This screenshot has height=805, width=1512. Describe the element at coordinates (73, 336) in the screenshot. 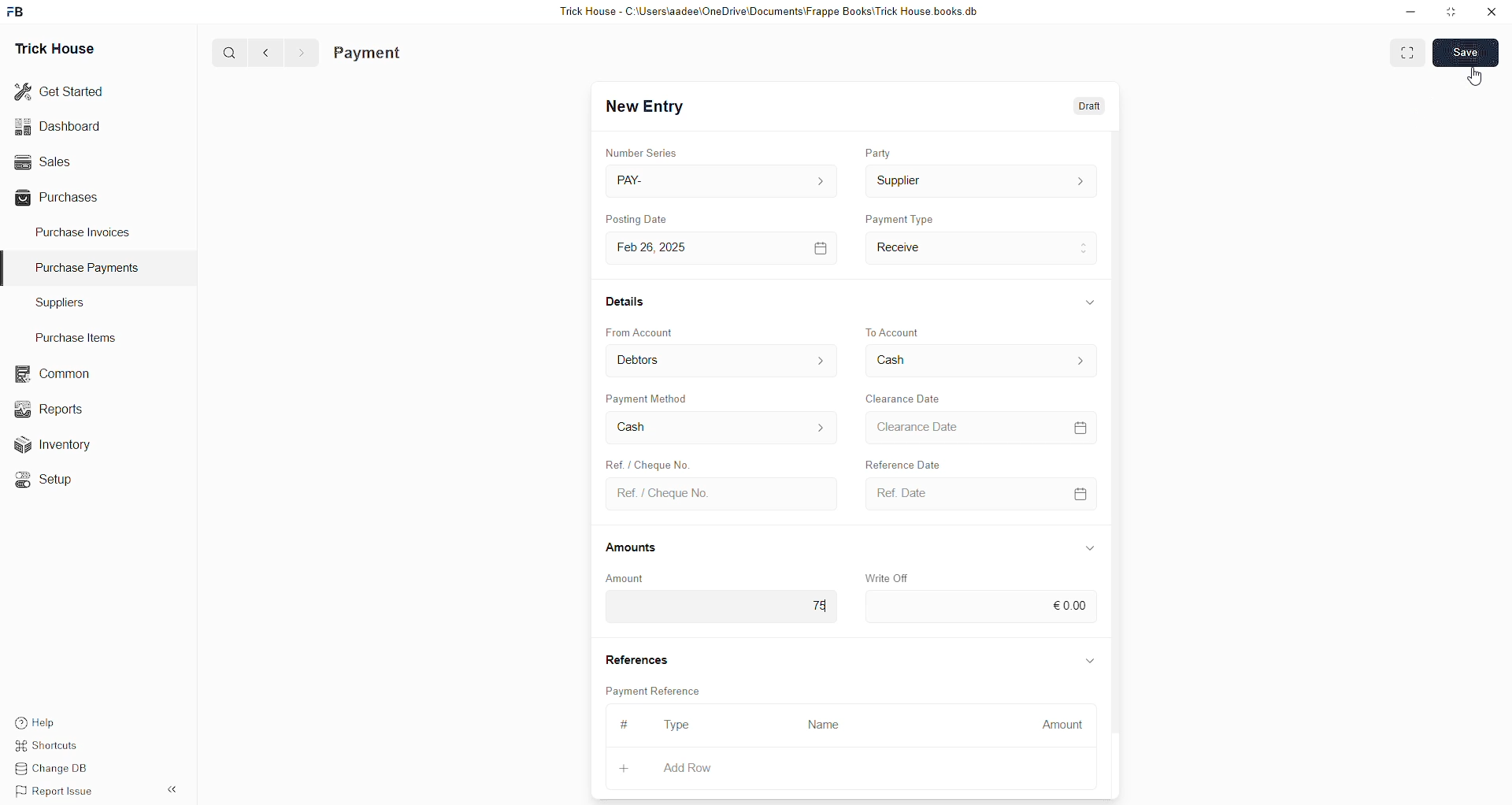

I see `Purchase Items.` at that location.